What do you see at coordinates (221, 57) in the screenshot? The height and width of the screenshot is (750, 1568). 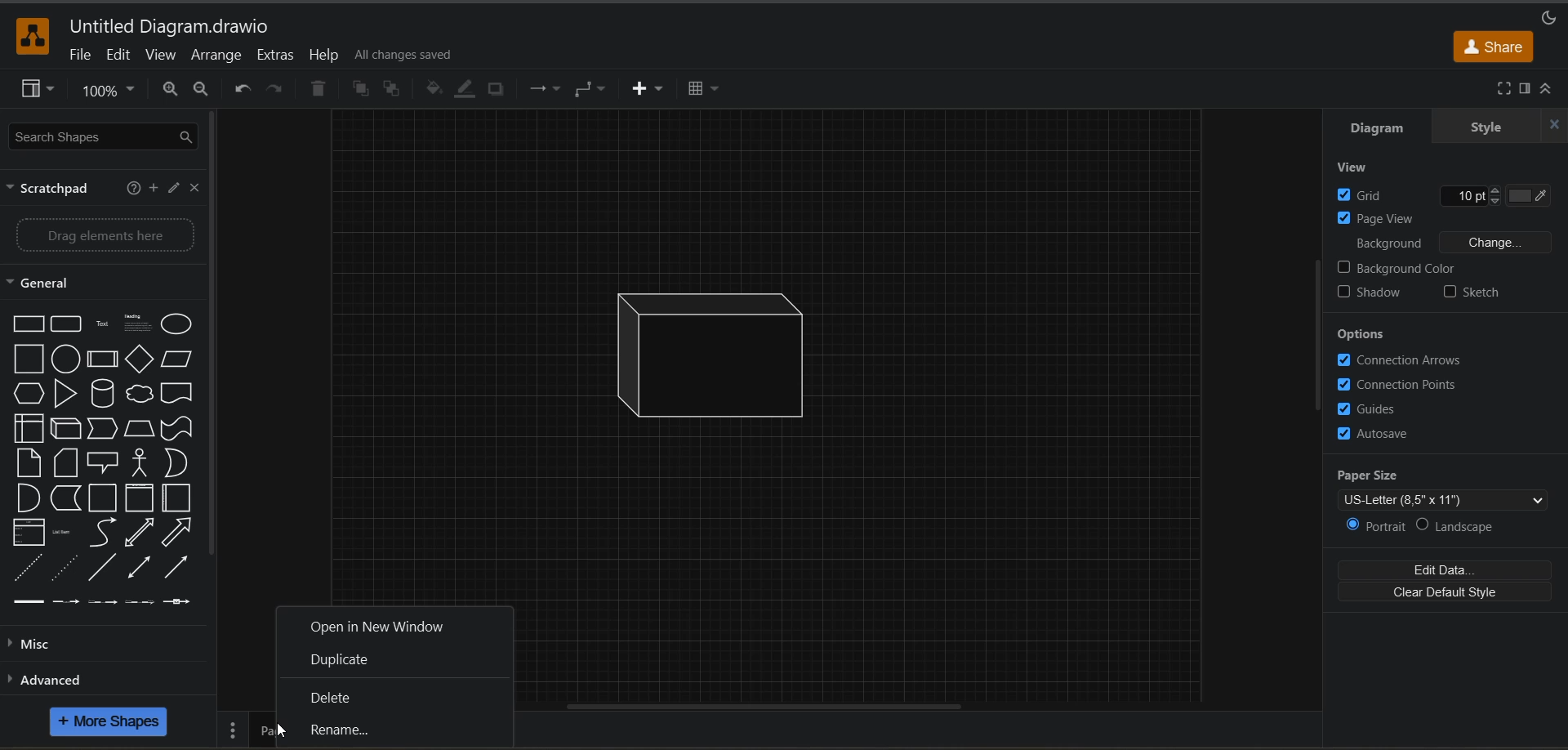 I see `arrange` at bounding box center [221, 57].